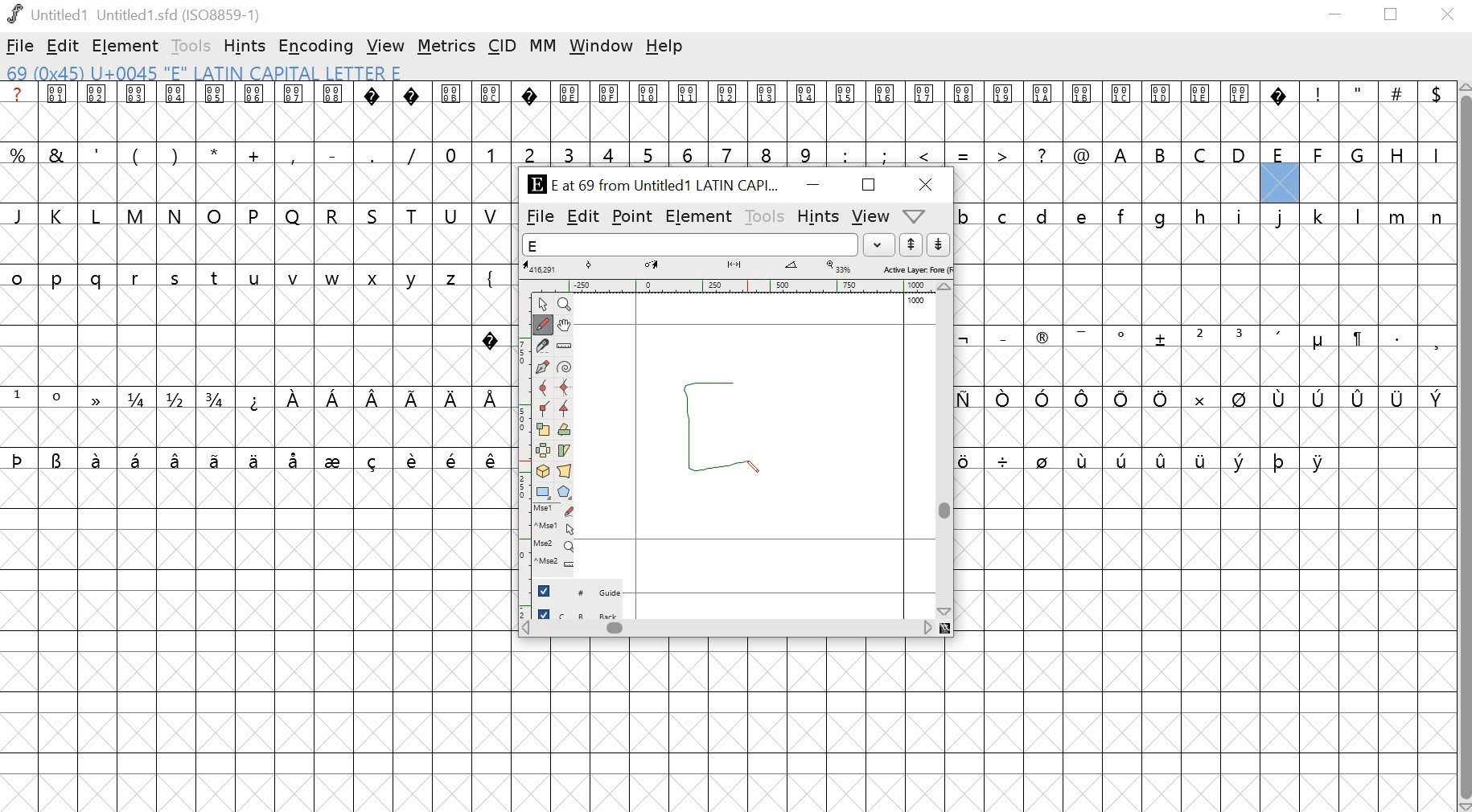  What do you see at coordinates (1206, 460) in the screenshot?
I see `special characters and empty cells` at bounding box center [1206, 460].